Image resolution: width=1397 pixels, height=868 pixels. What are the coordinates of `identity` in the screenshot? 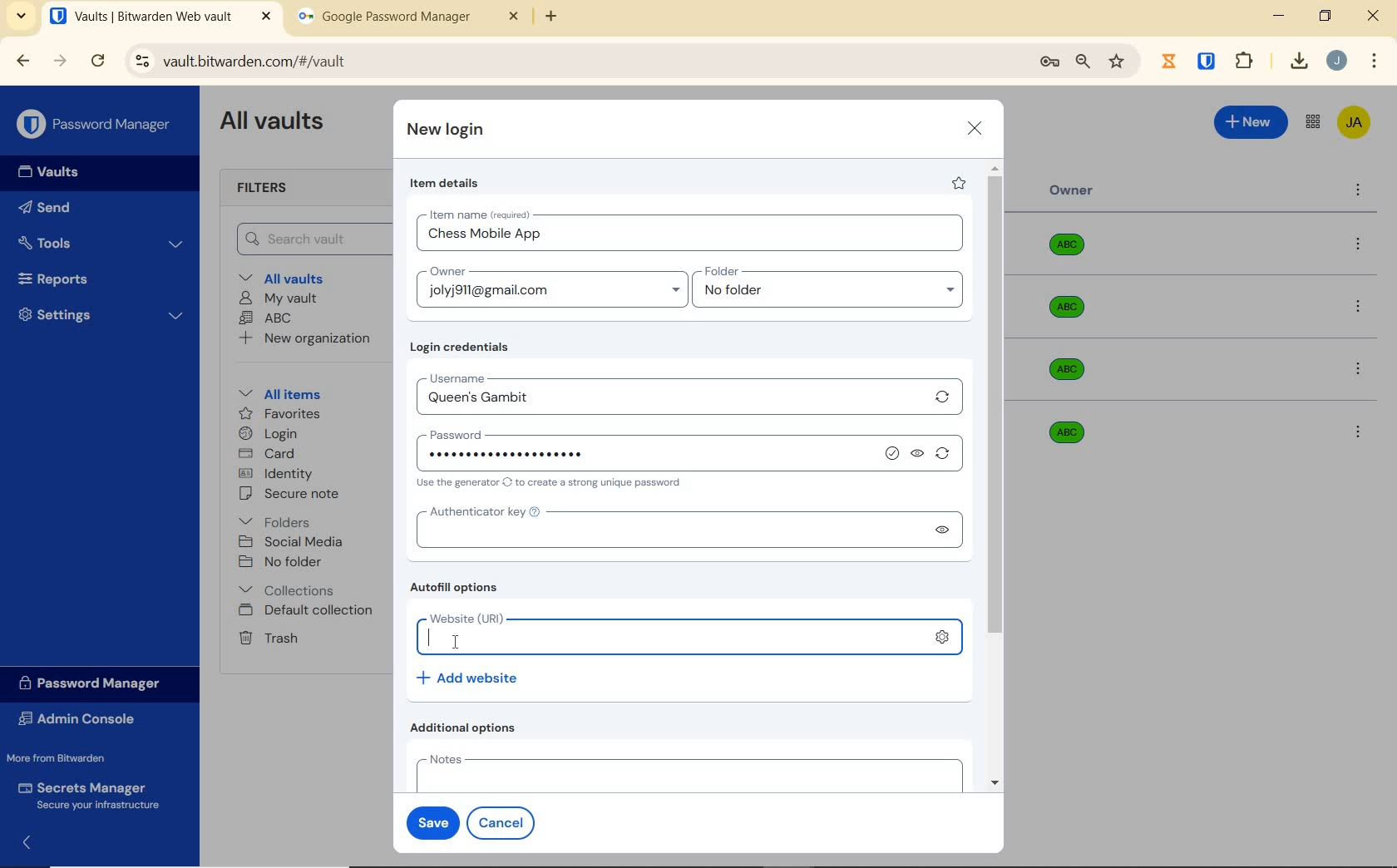 It's located at (276, 474).